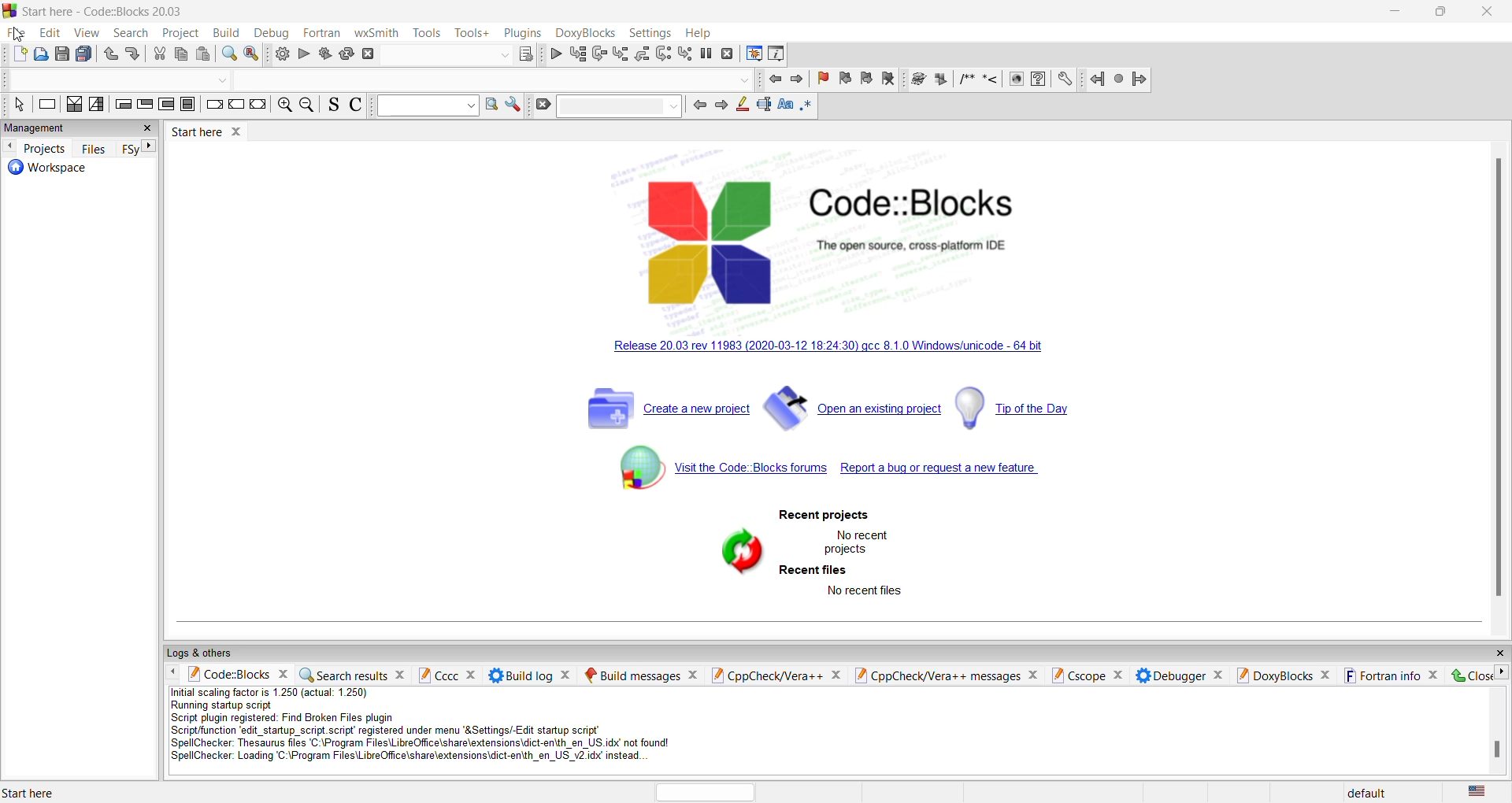 The image size is (1512, 803). I want to click on settings, so click(1064, 80).